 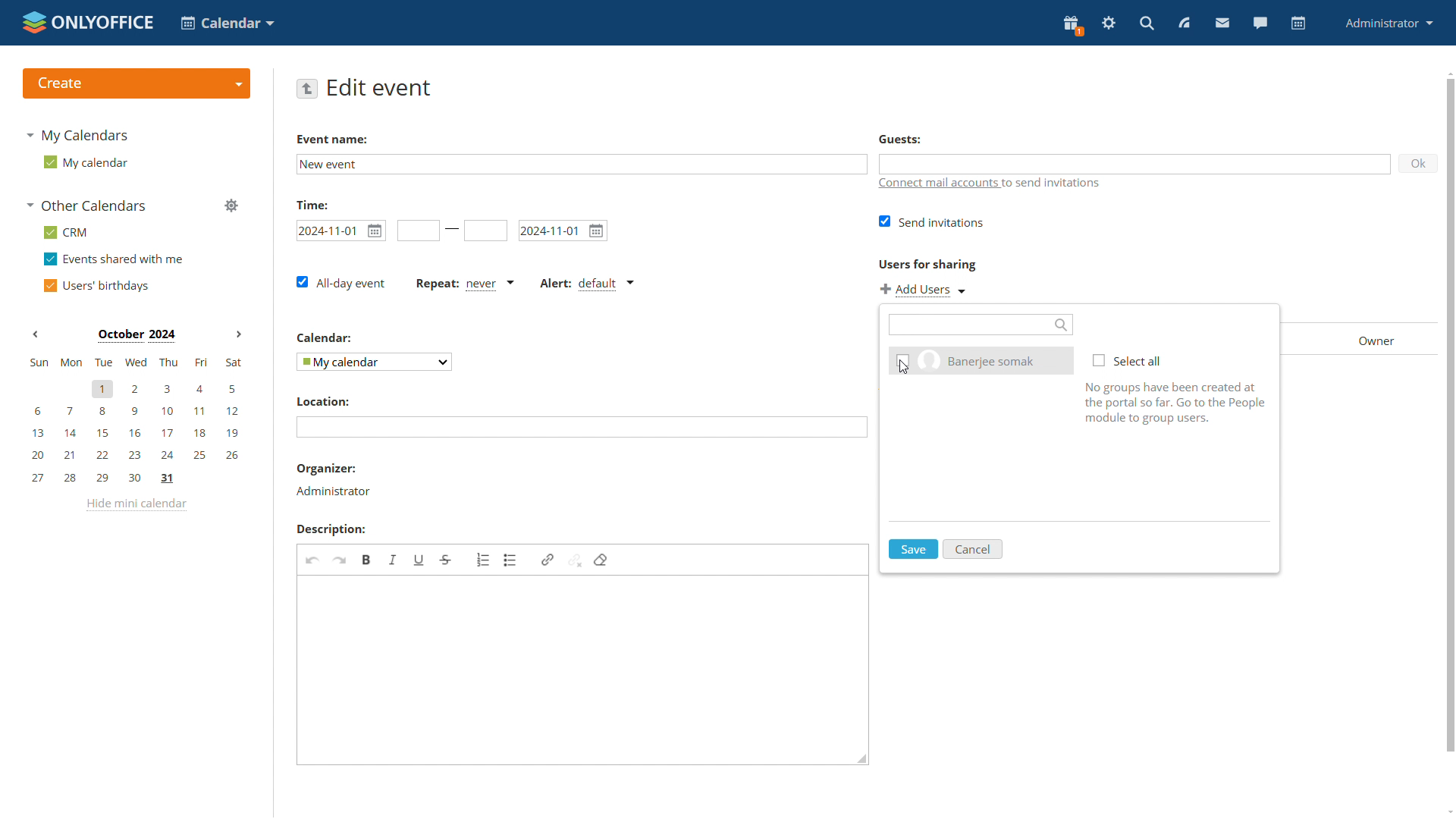 I want to click on insert/remove numbered list, so click(x=484, y=560).